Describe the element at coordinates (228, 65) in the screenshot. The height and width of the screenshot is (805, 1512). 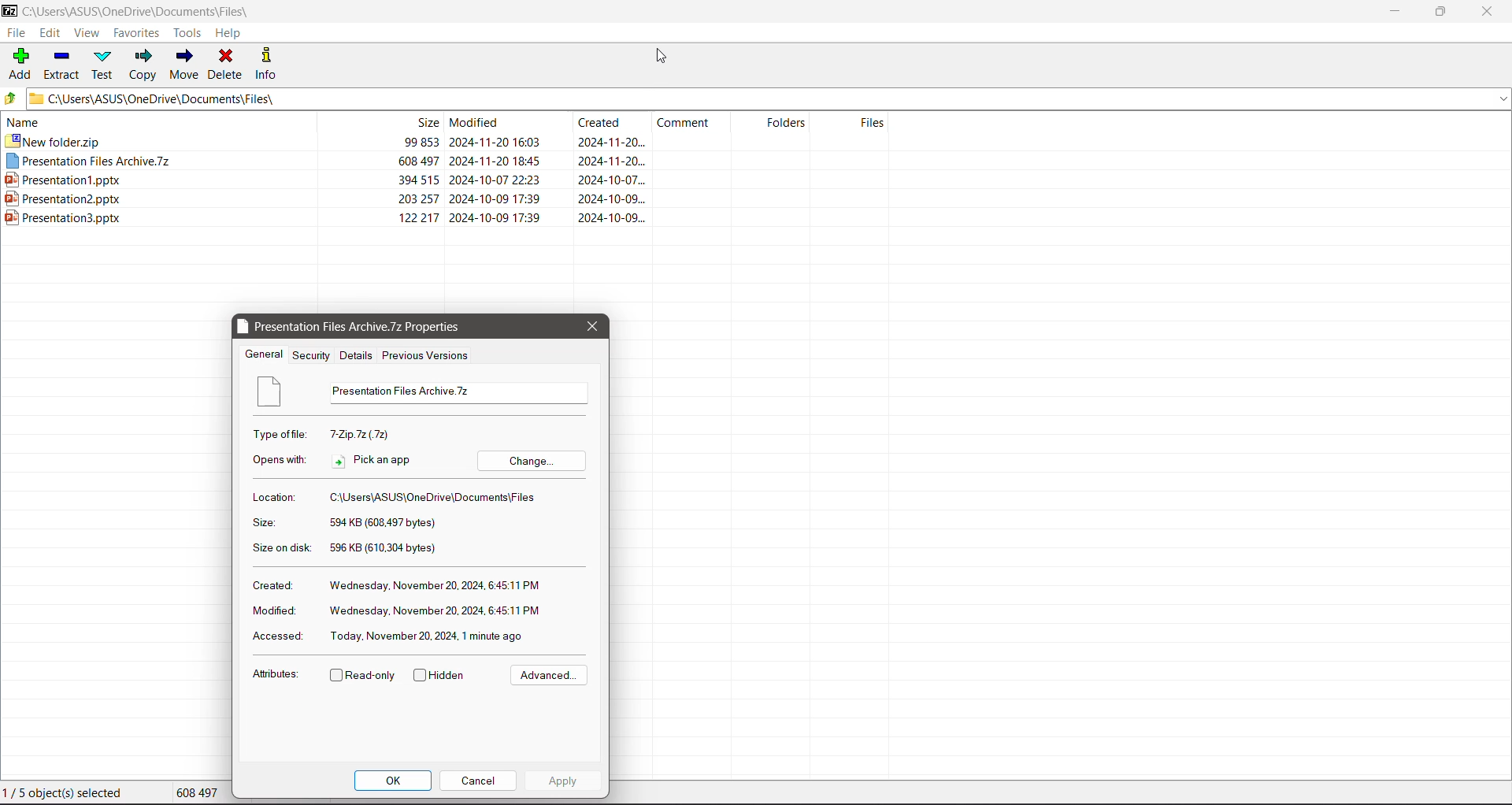
I see `Delete` at that location.